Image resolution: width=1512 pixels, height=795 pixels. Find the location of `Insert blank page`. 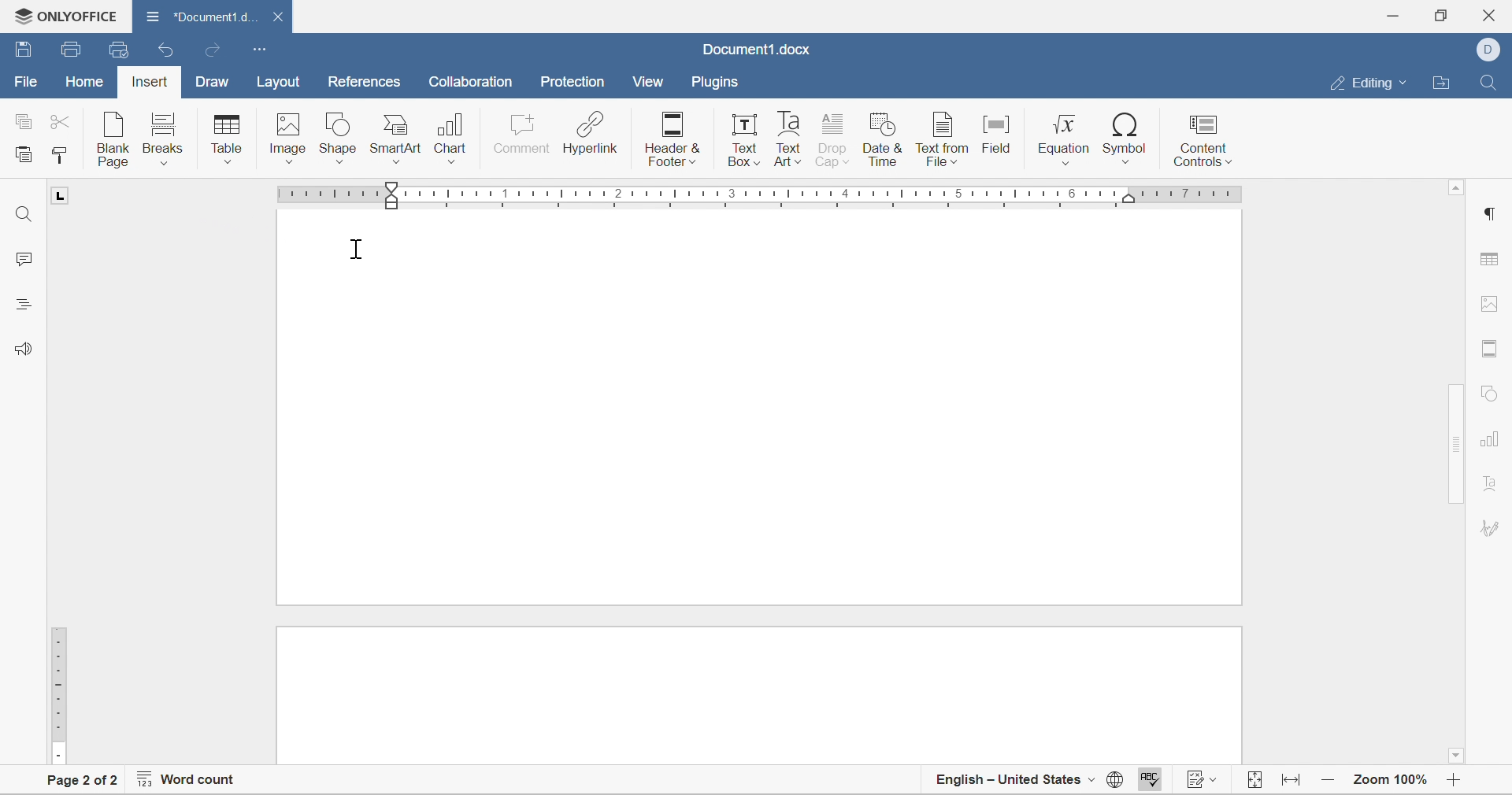

Insert blank page is located at coordinates (115, 139).